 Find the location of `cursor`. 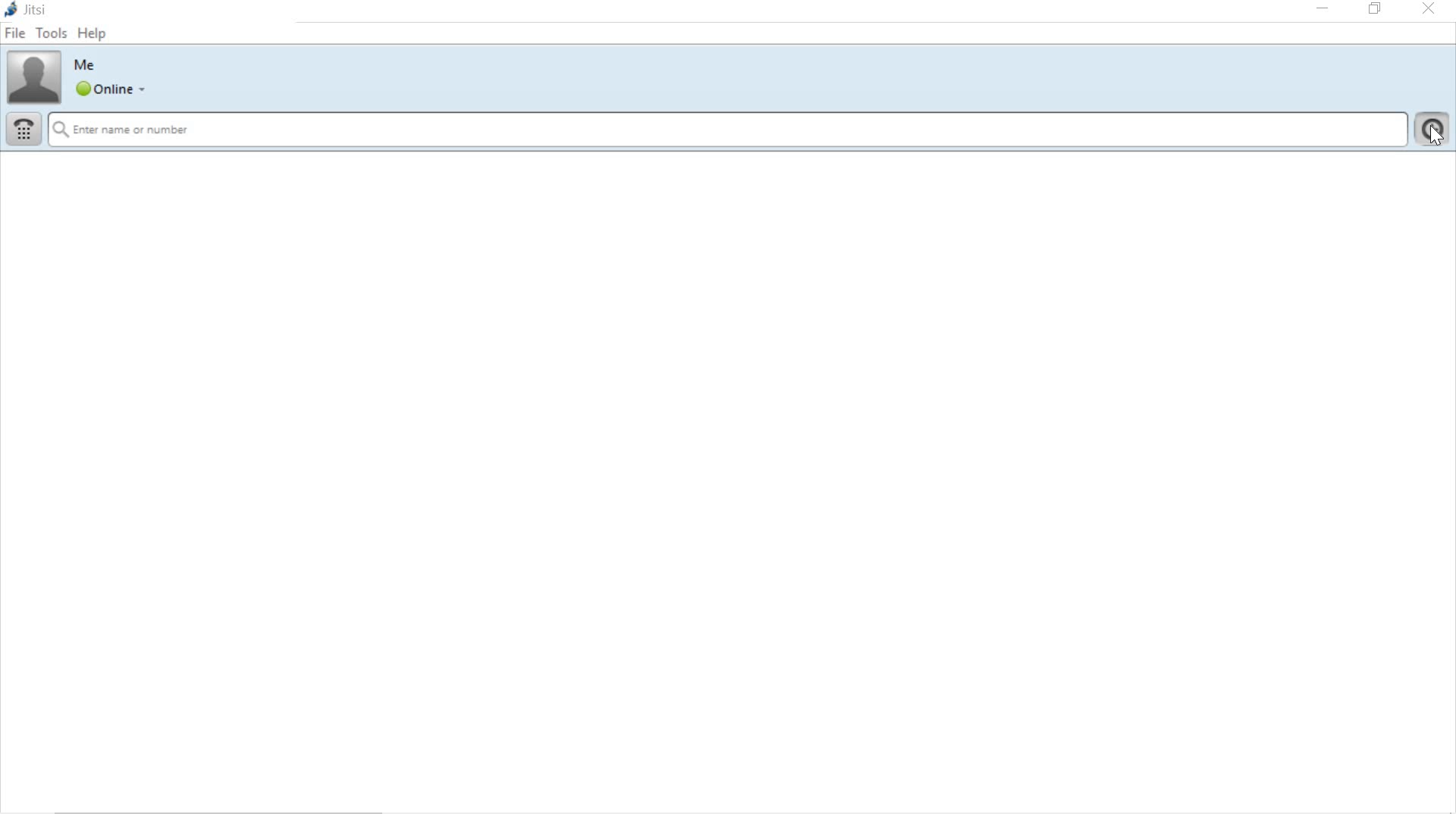

cursor is located at coordinates (1435, 133).